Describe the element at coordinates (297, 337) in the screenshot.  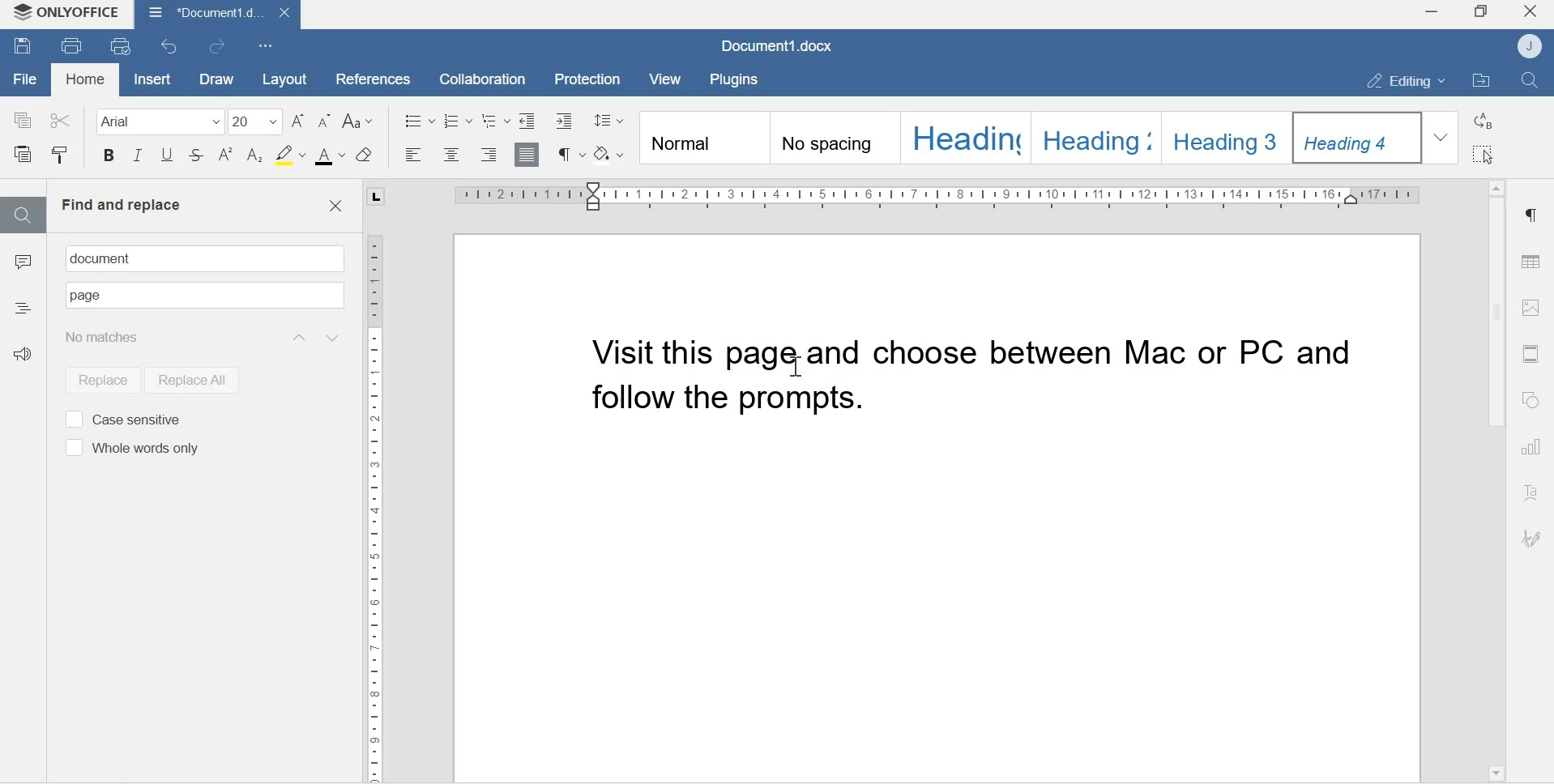
I see `Previous result` at that location.